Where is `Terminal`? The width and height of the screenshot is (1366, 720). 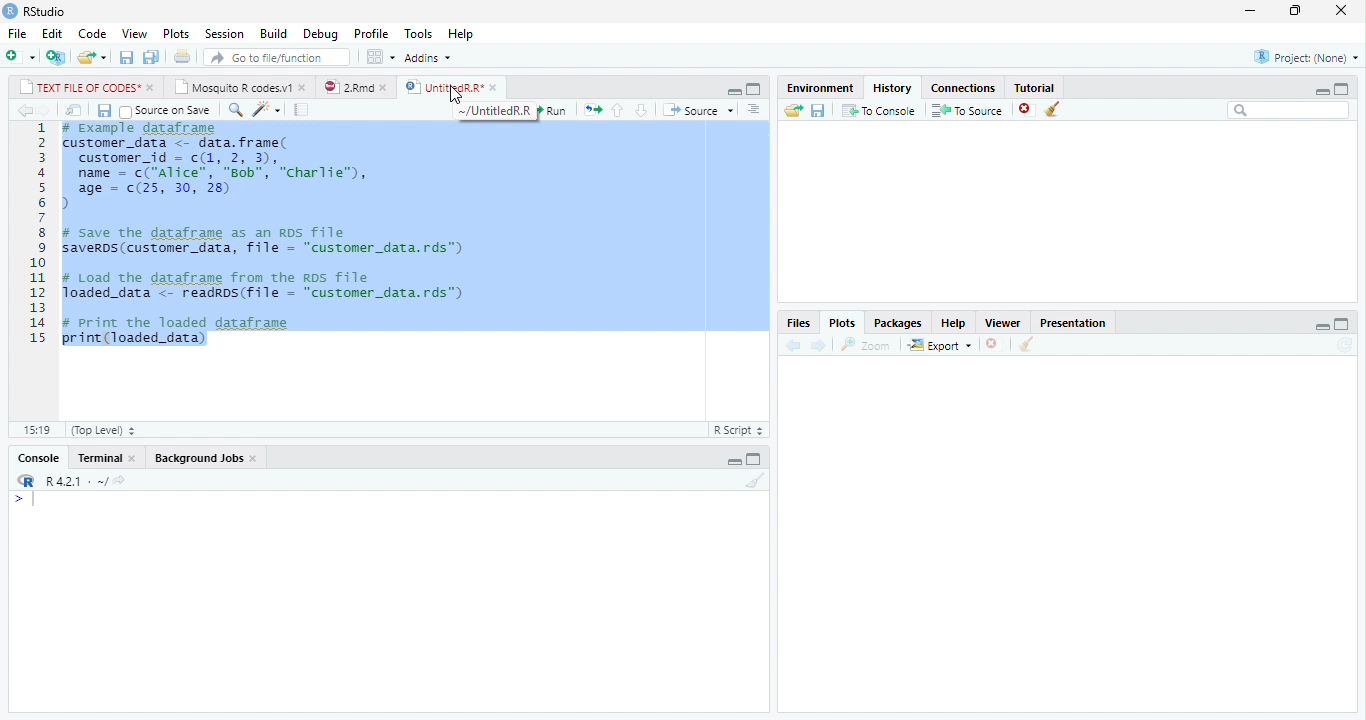 Terminal is located at coordinates (98, 458).